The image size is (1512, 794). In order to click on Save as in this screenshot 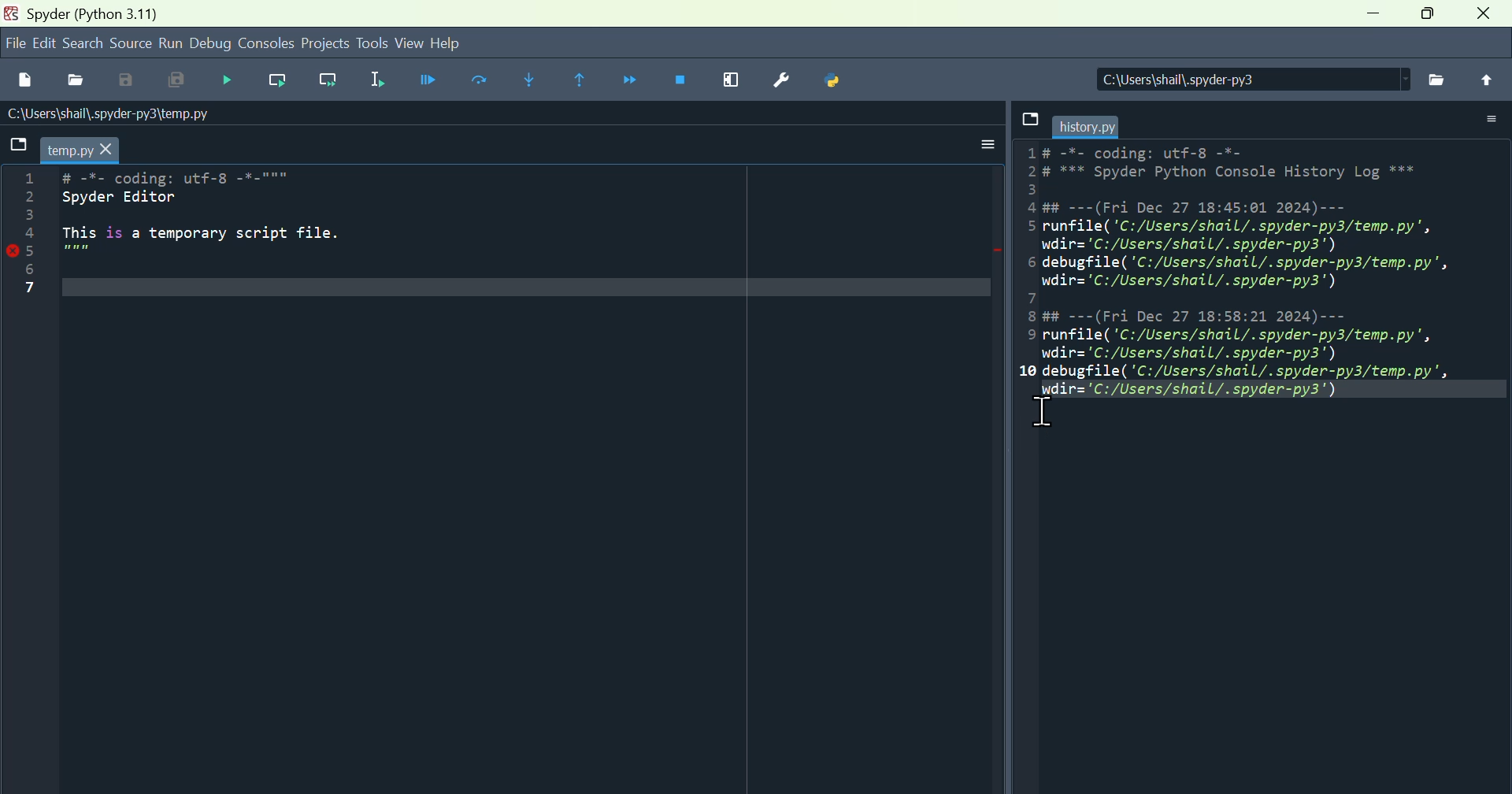, I will do `click(128, 83)`.